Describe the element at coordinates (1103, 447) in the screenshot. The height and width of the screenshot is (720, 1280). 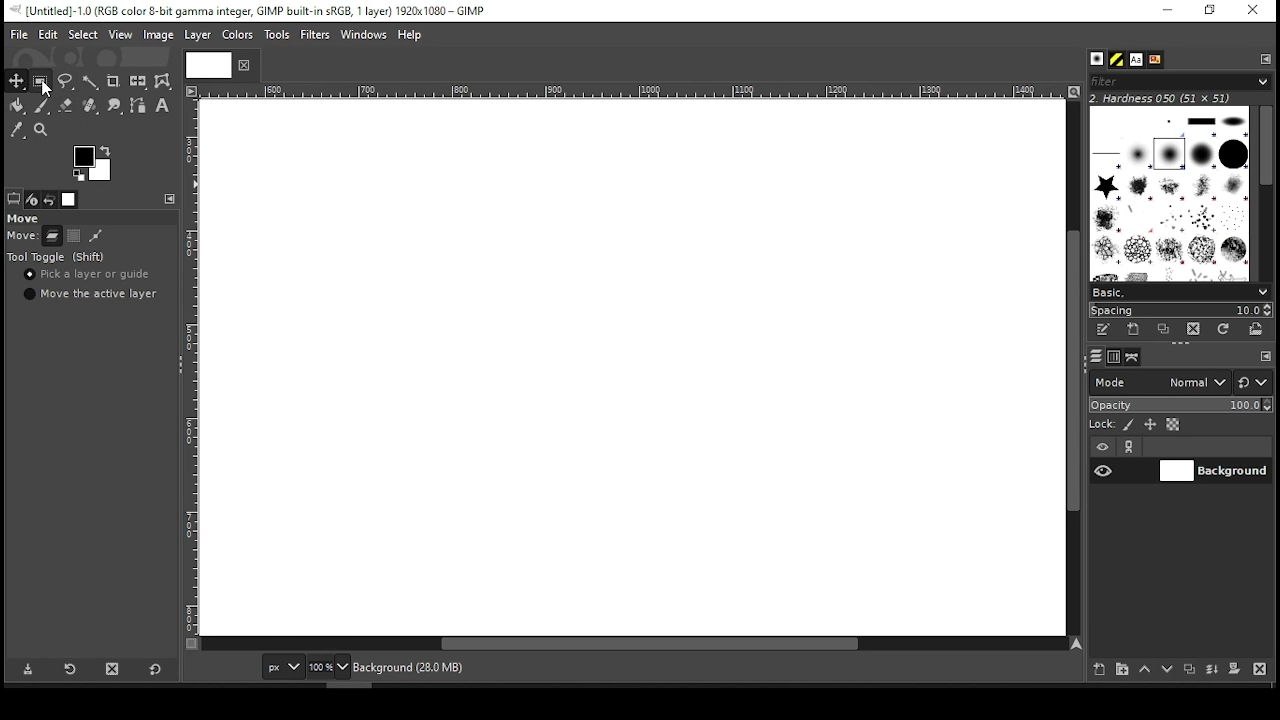
I see `layer visibility` at that location.